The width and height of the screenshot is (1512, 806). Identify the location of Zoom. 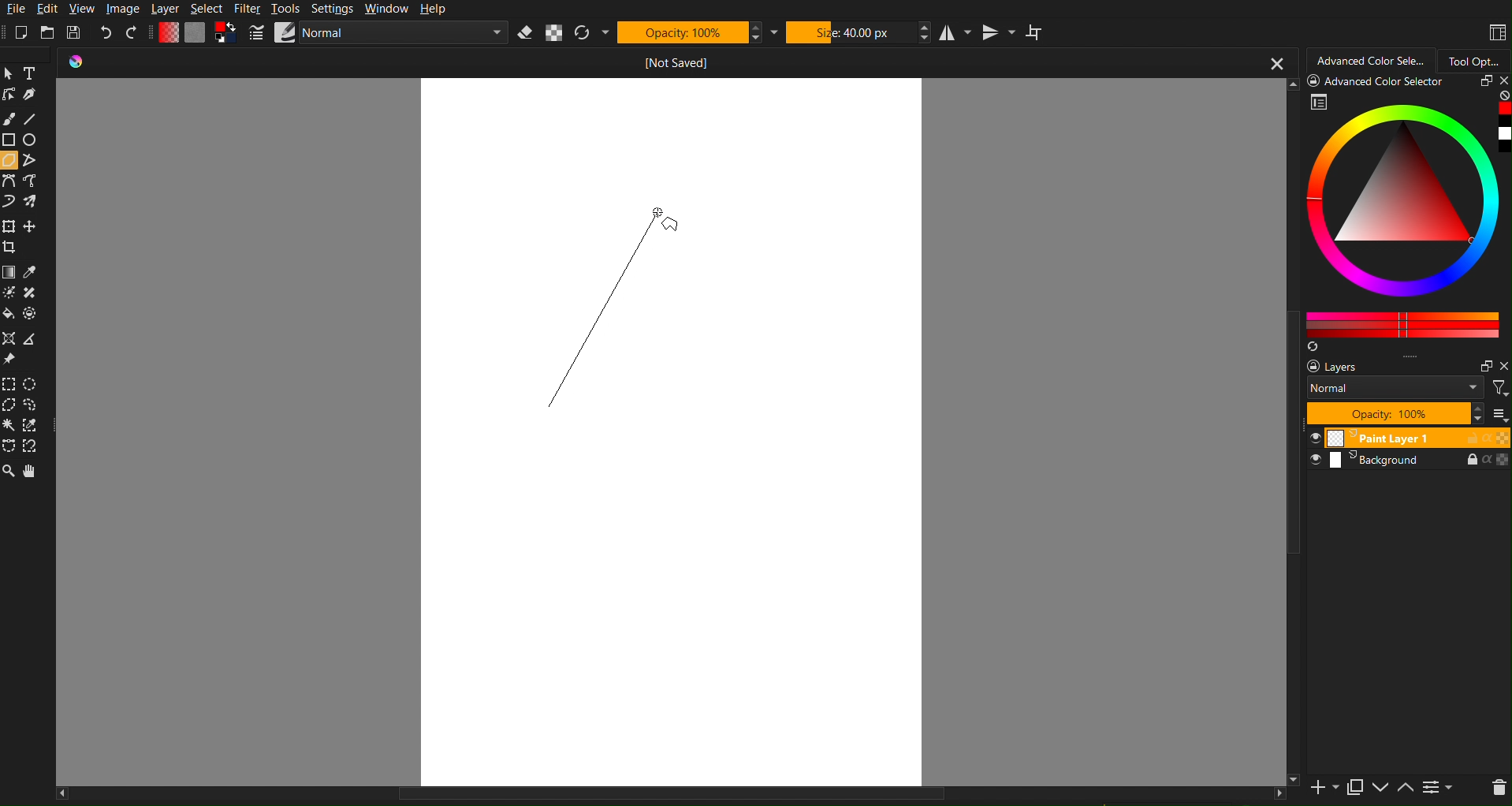
(10, 470).